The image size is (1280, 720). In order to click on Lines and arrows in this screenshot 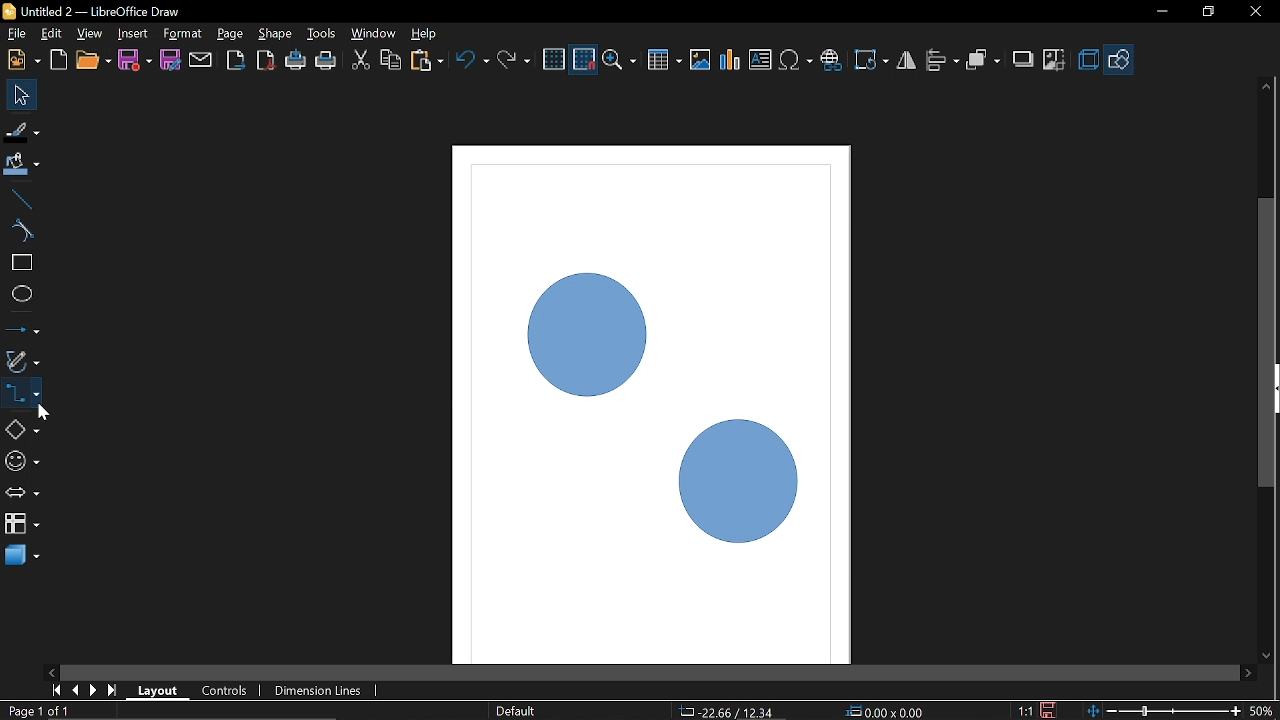, I will do `click(22, 330)`.